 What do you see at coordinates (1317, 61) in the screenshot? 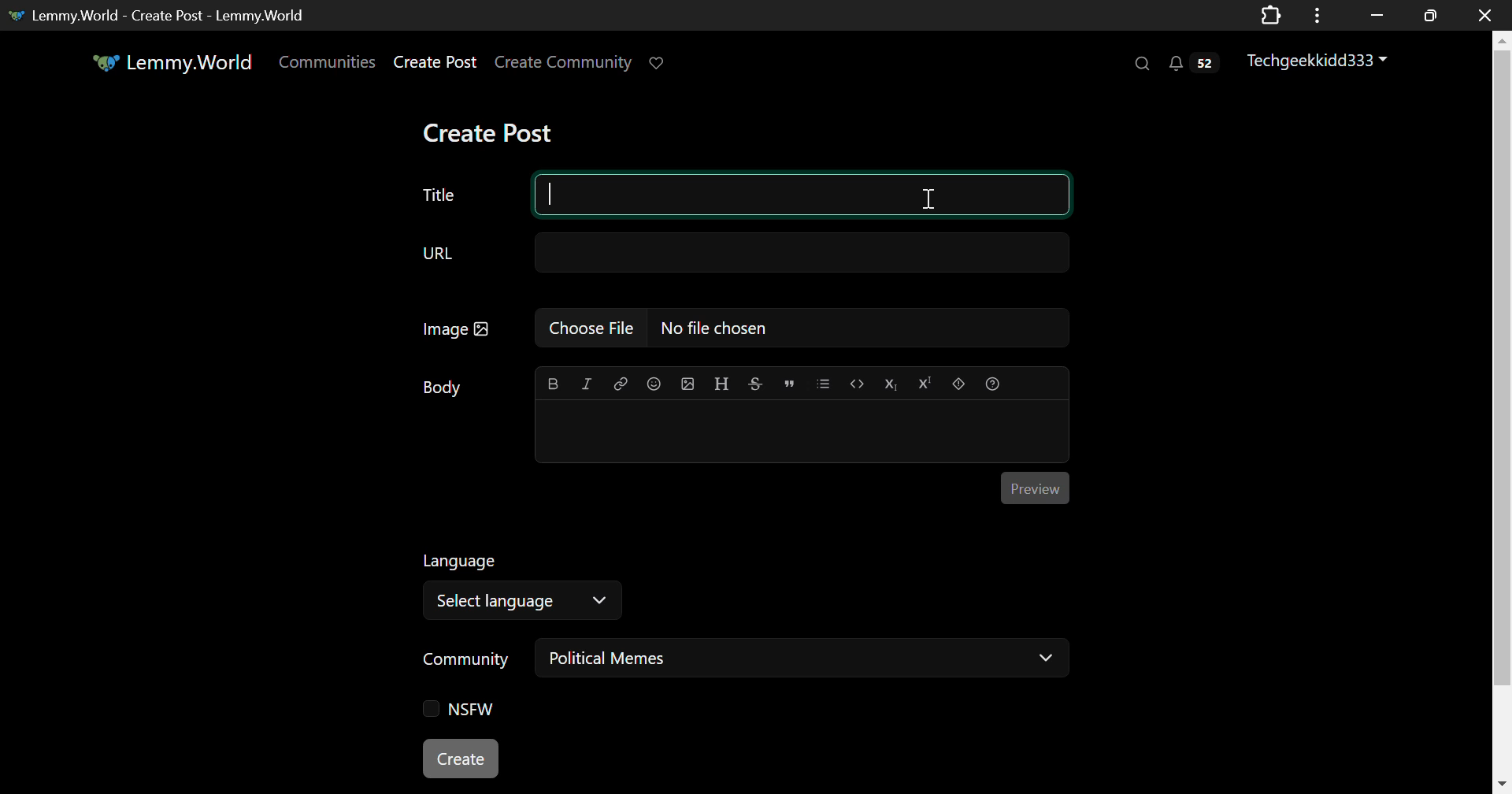
I see `Techgeekkidd333` at bounding box center [1317, 61].